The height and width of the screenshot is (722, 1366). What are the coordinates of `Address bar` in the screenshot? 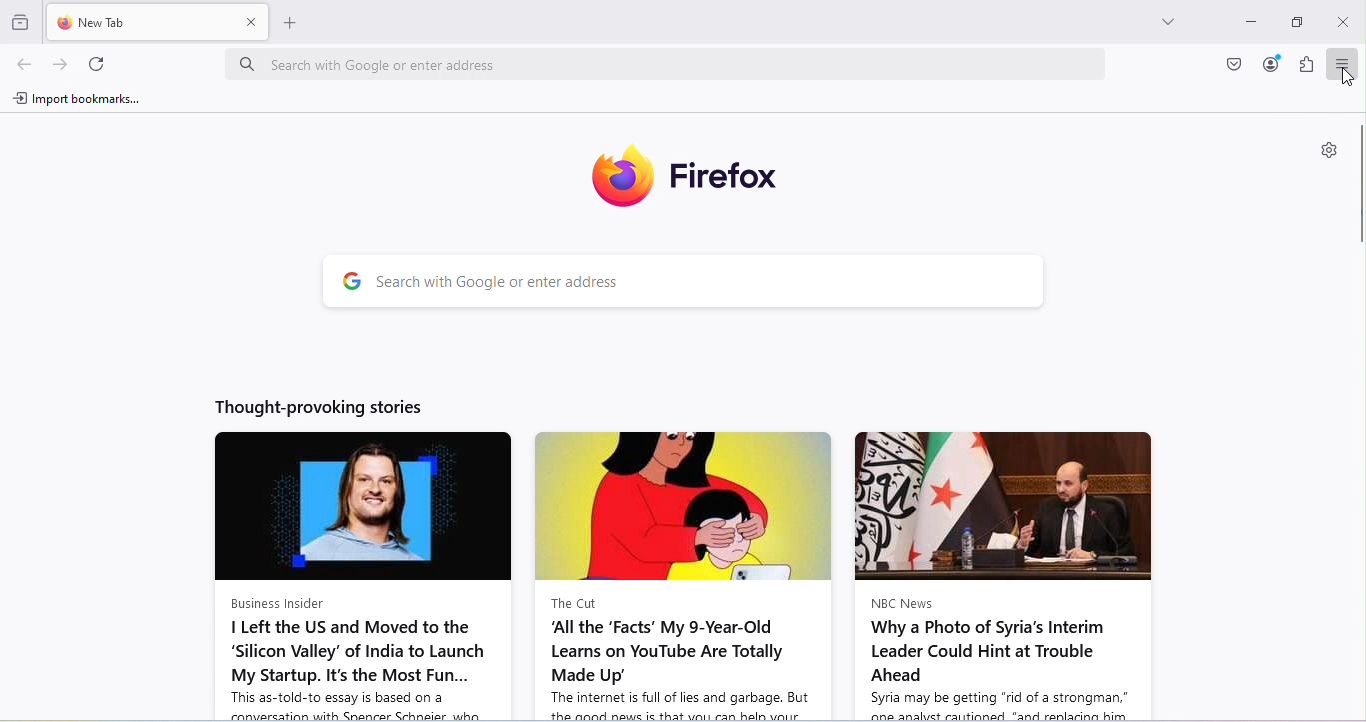 It's located at (663, 66).